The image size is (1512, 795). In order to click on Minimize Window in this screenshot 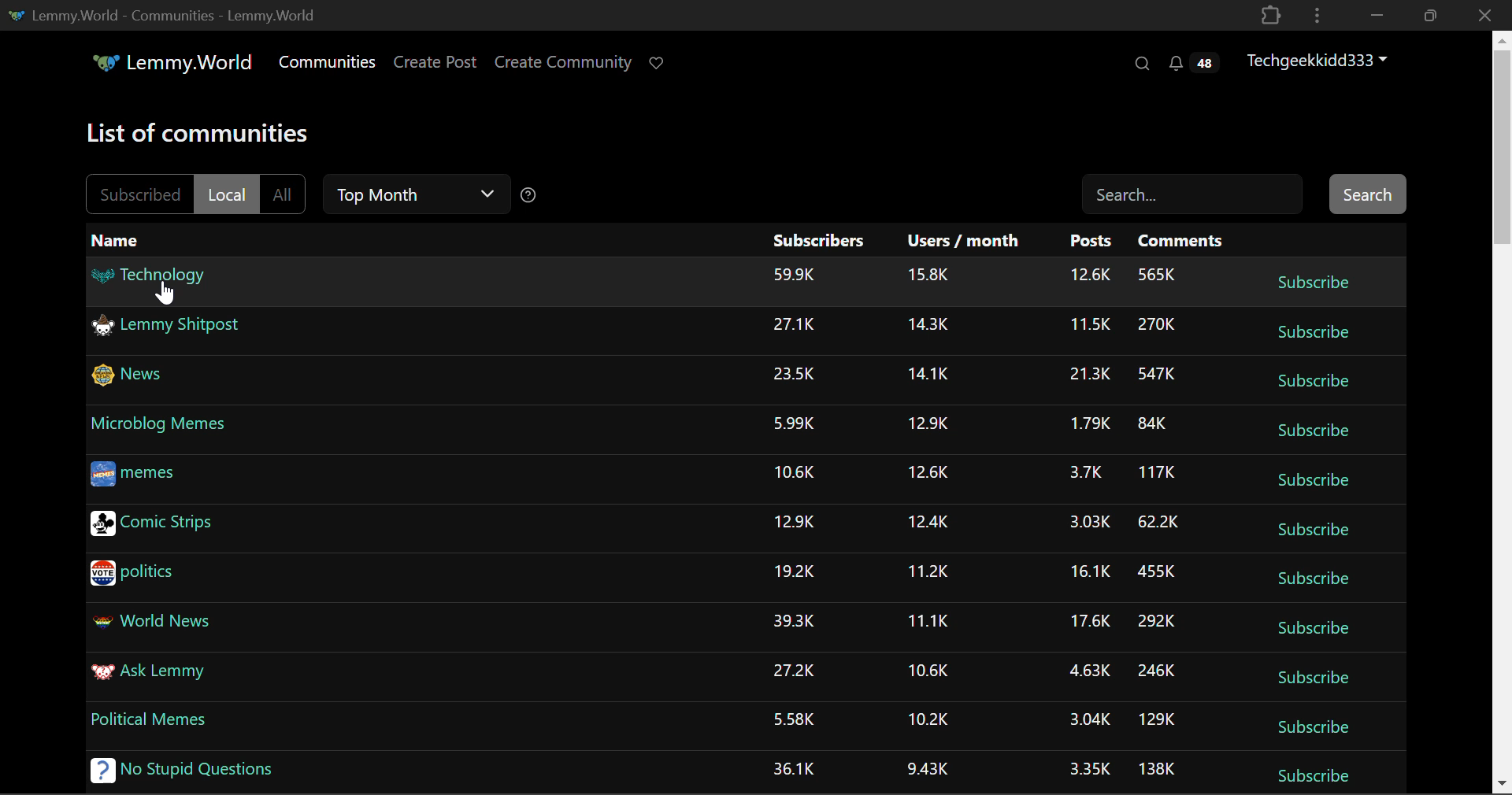, I will do `click(1432, 15)`.